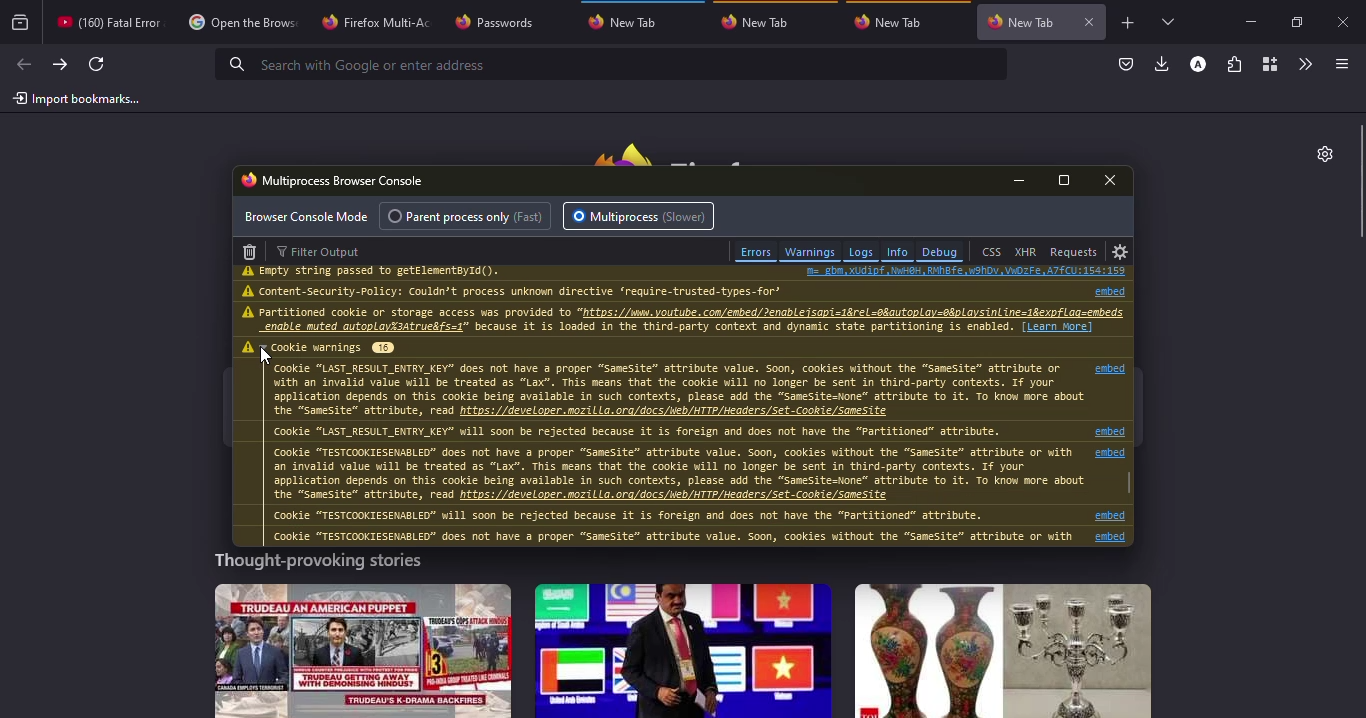 Image resolution: width=1366 pixels, height=718 pixels. Describe the element at coordinates (1110, 537) in the screenshot. I see `embed` at that location.